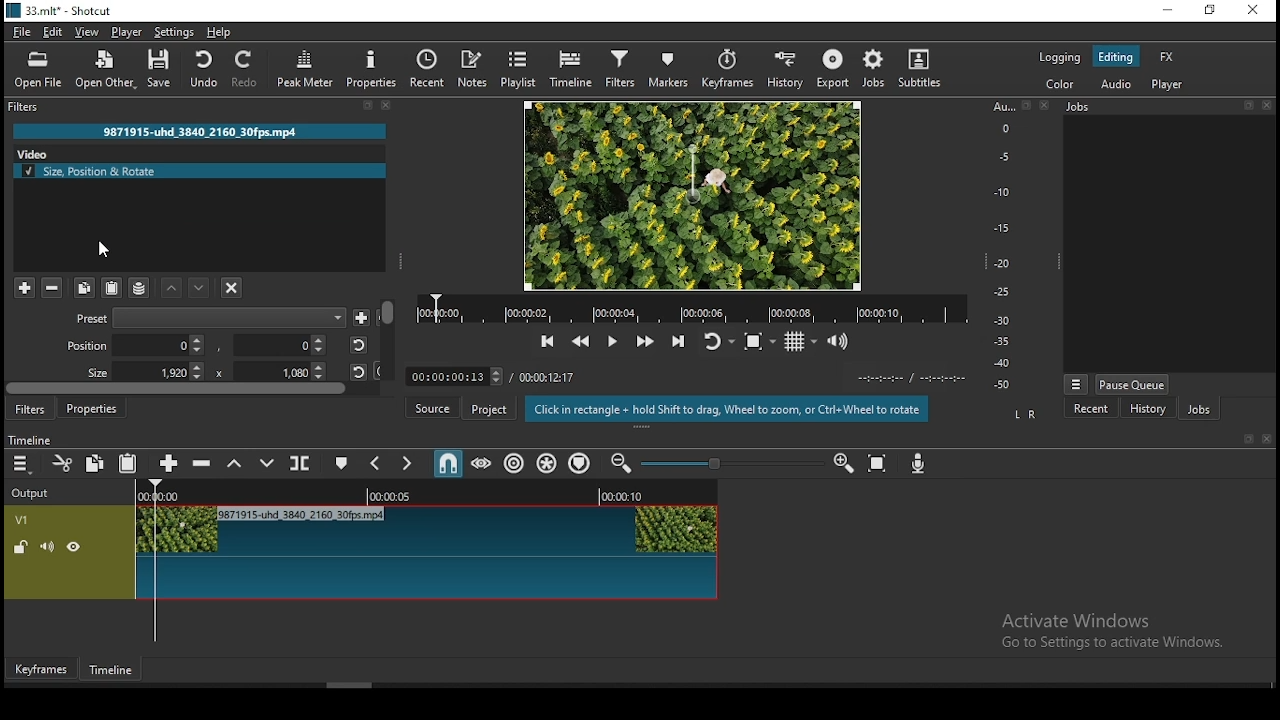 The height and width of the screenshot is (720, 1280). Describe the element at coordinates (71, 12) in the screenshot. I see `33.mit* - Shotcut.` at that location.